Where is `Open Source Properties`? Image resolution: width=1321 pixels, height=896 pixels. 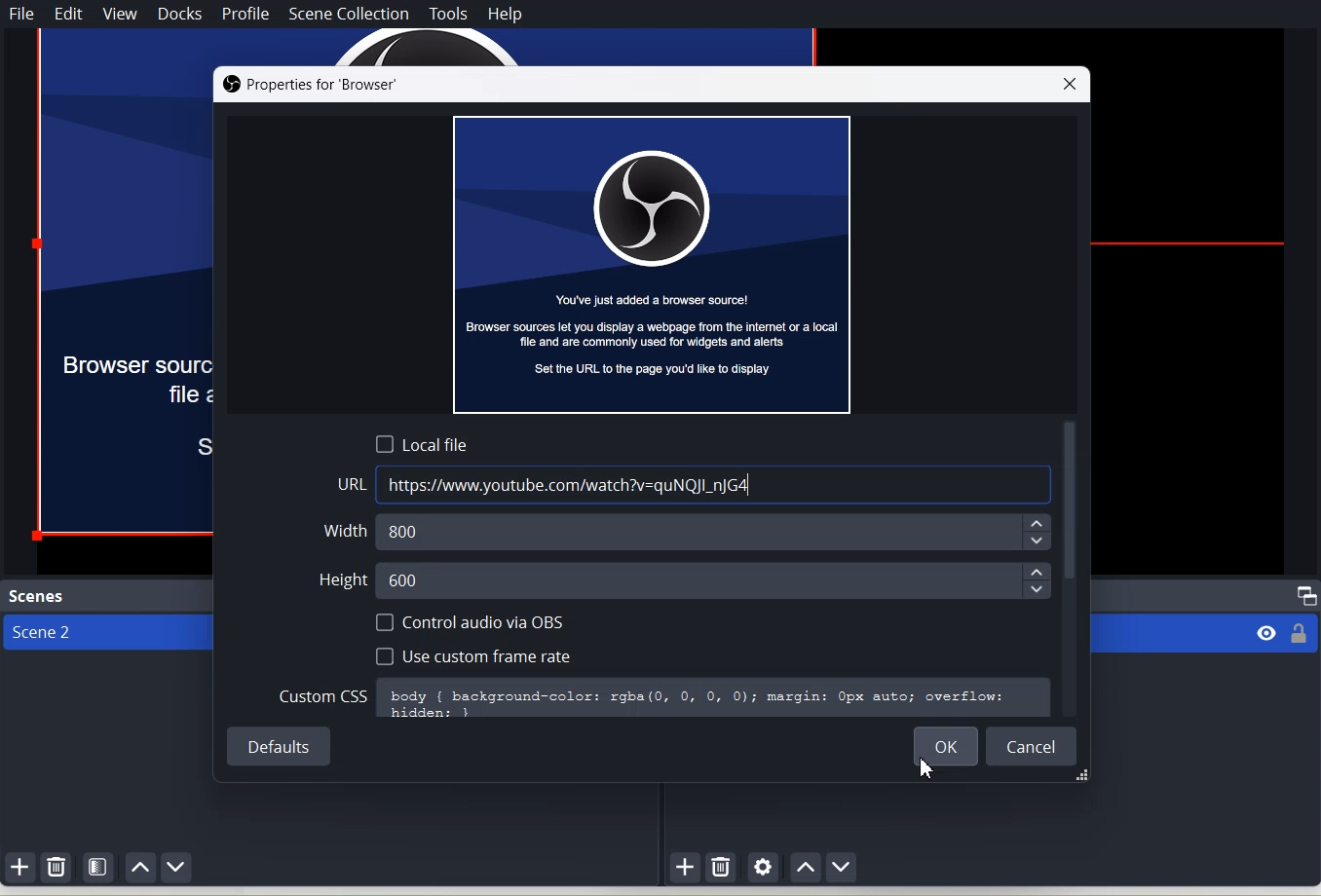 Open Source Properties is located at coordinates (763, 868).